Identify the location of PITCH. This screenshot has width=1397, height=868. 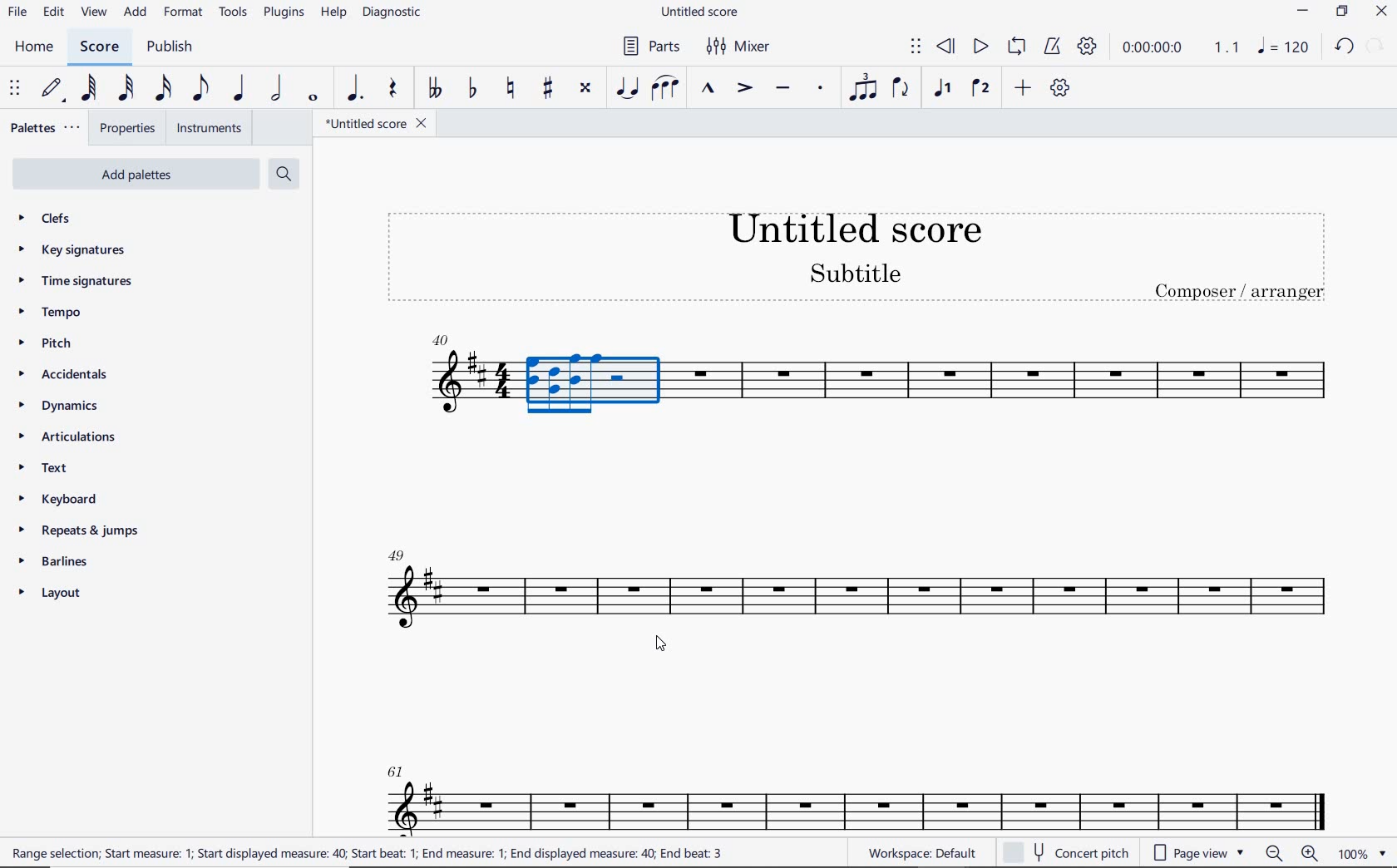
(61, 343).